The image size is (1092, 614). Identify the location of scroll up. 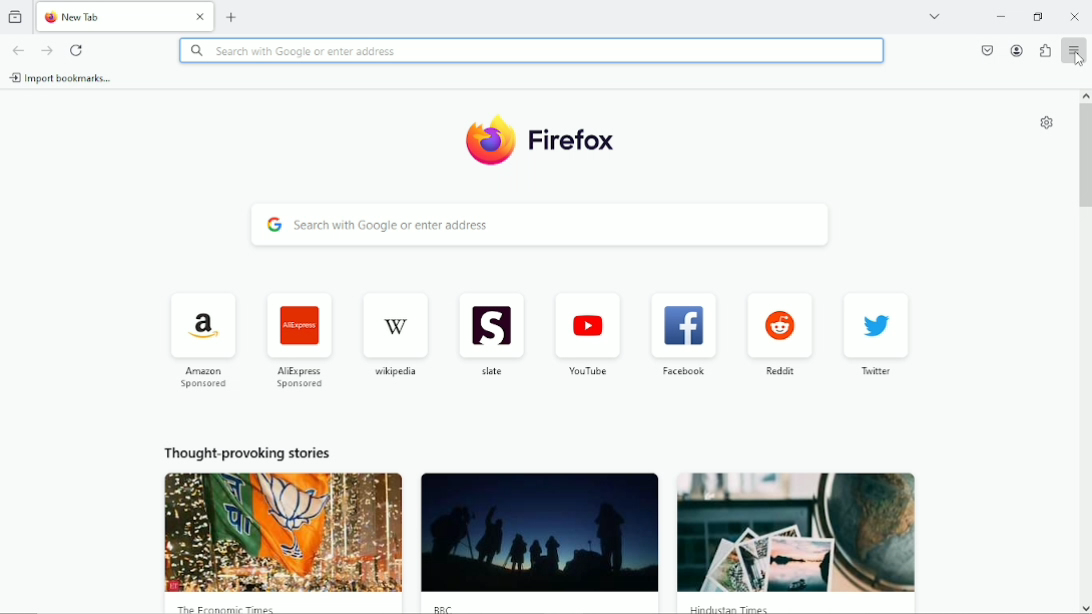
(1085, 95).